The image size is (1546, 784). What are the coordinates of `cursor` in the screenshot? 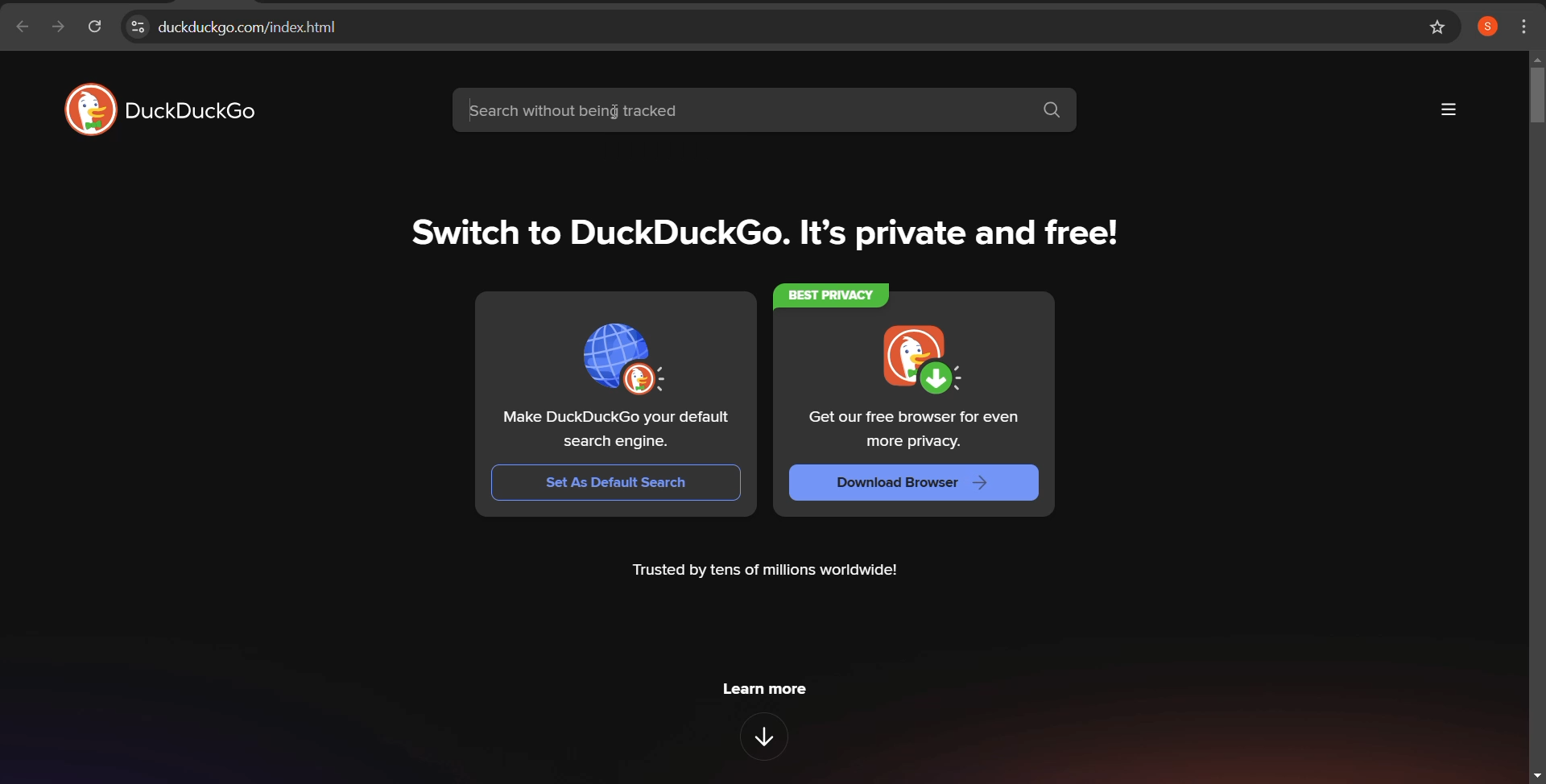 It's located at (614, 115).